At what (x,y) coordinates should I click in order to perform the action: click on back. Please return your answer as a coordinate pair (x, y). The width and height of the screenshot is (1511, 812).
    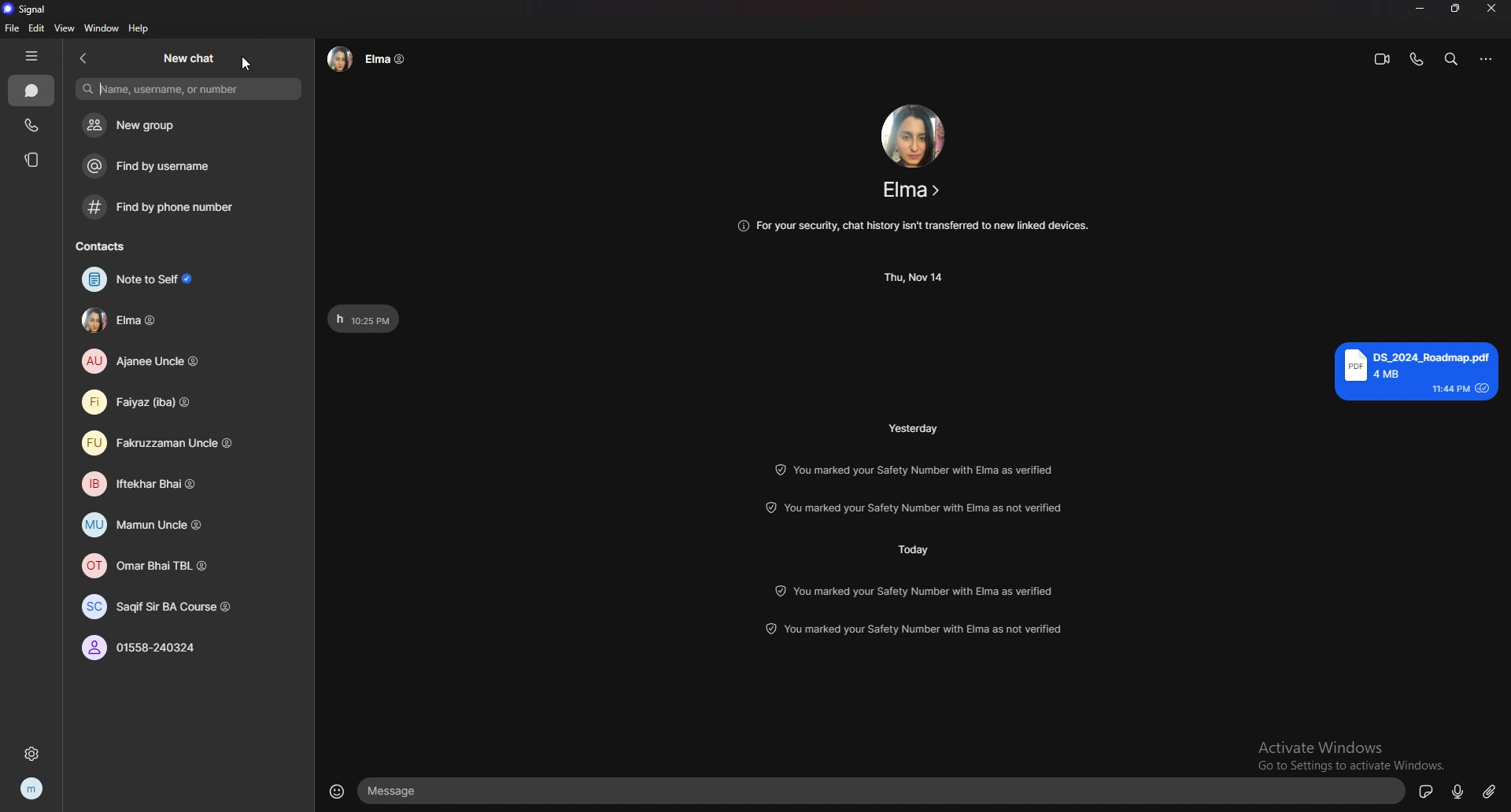
    Looking at the image, I should click on (84, 57).